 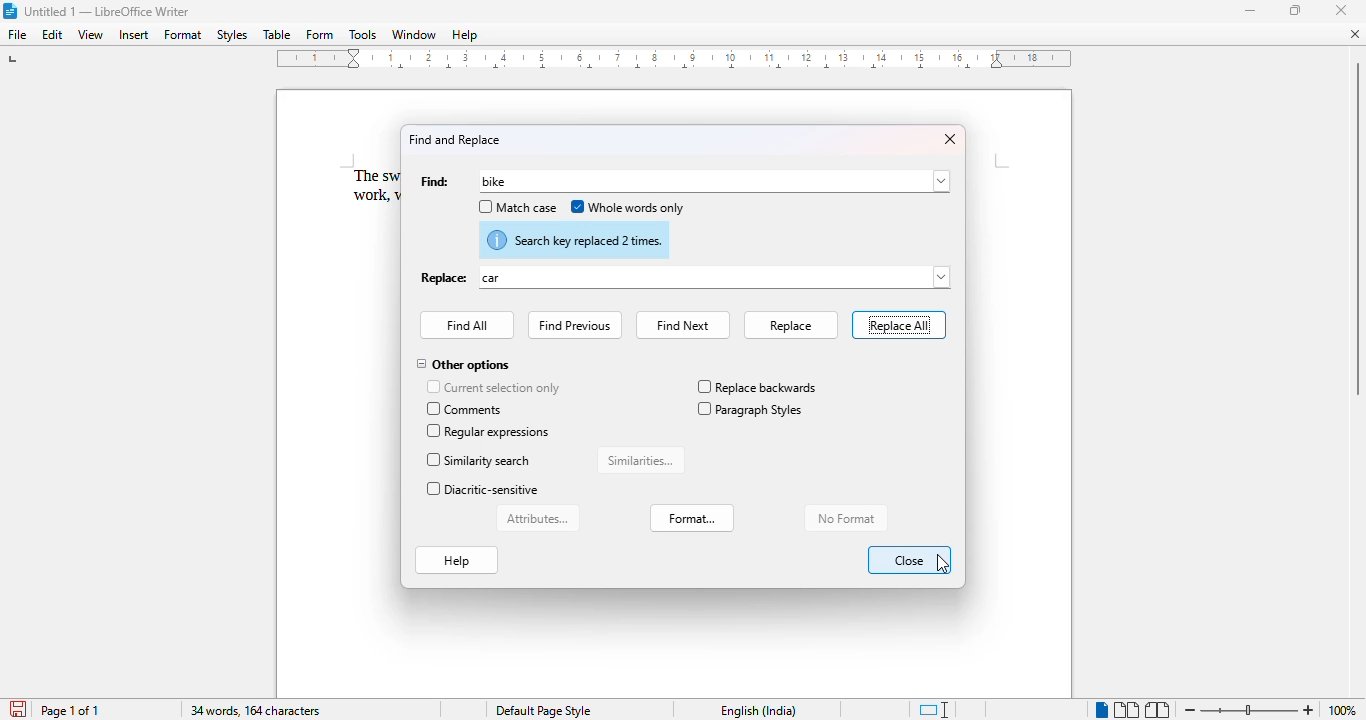 What do you see at coordinates (442, 279) in the screenshot?
I see `Replace` at bounding box center [442, 279].